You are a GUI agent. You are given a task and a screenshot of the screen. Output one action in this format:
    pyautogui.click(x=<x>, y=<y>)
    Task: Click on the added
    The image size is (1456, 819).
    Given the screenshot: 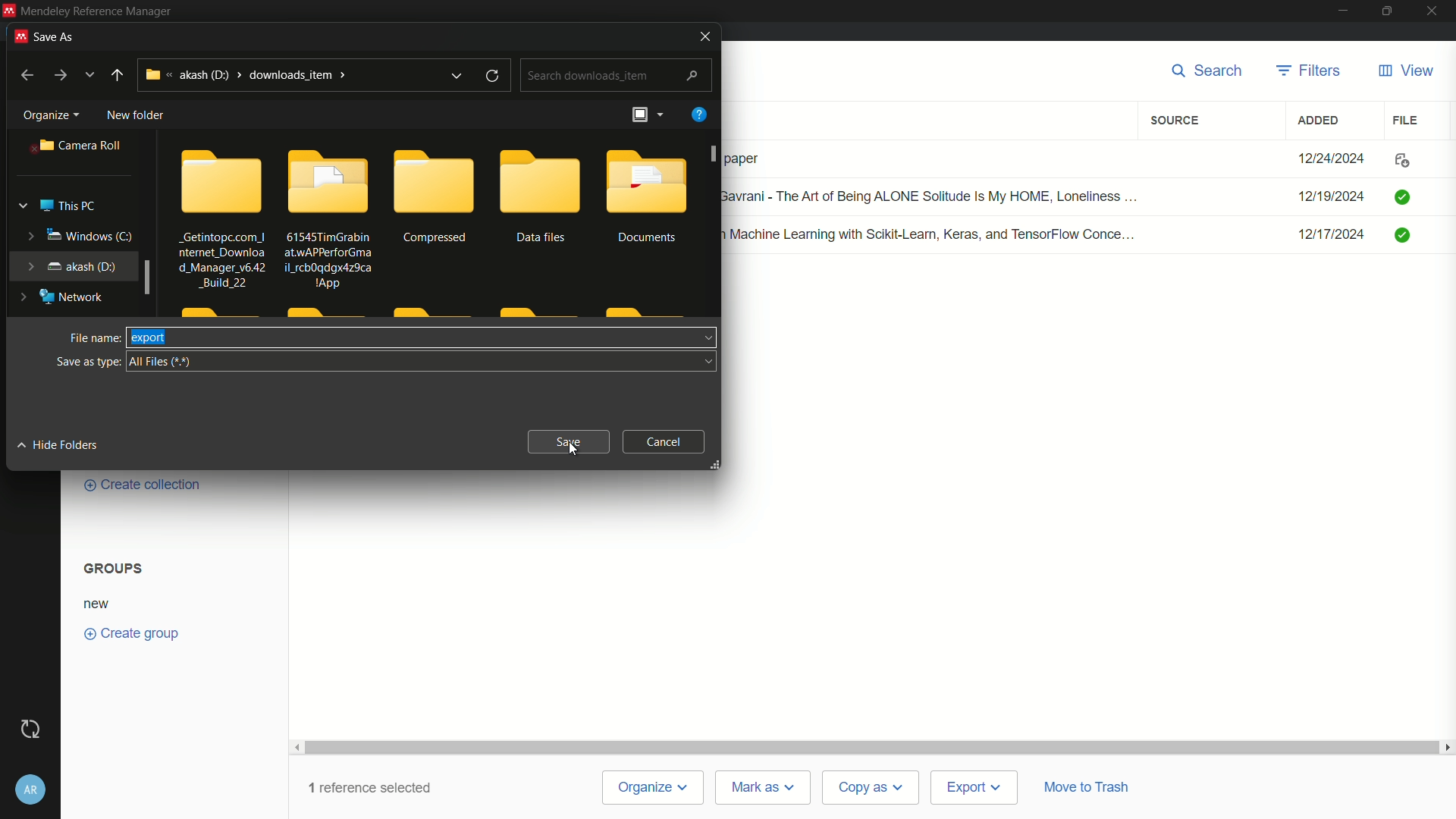 What is the action you would take?
    pyautogui.click(x=1319, y=121)
    